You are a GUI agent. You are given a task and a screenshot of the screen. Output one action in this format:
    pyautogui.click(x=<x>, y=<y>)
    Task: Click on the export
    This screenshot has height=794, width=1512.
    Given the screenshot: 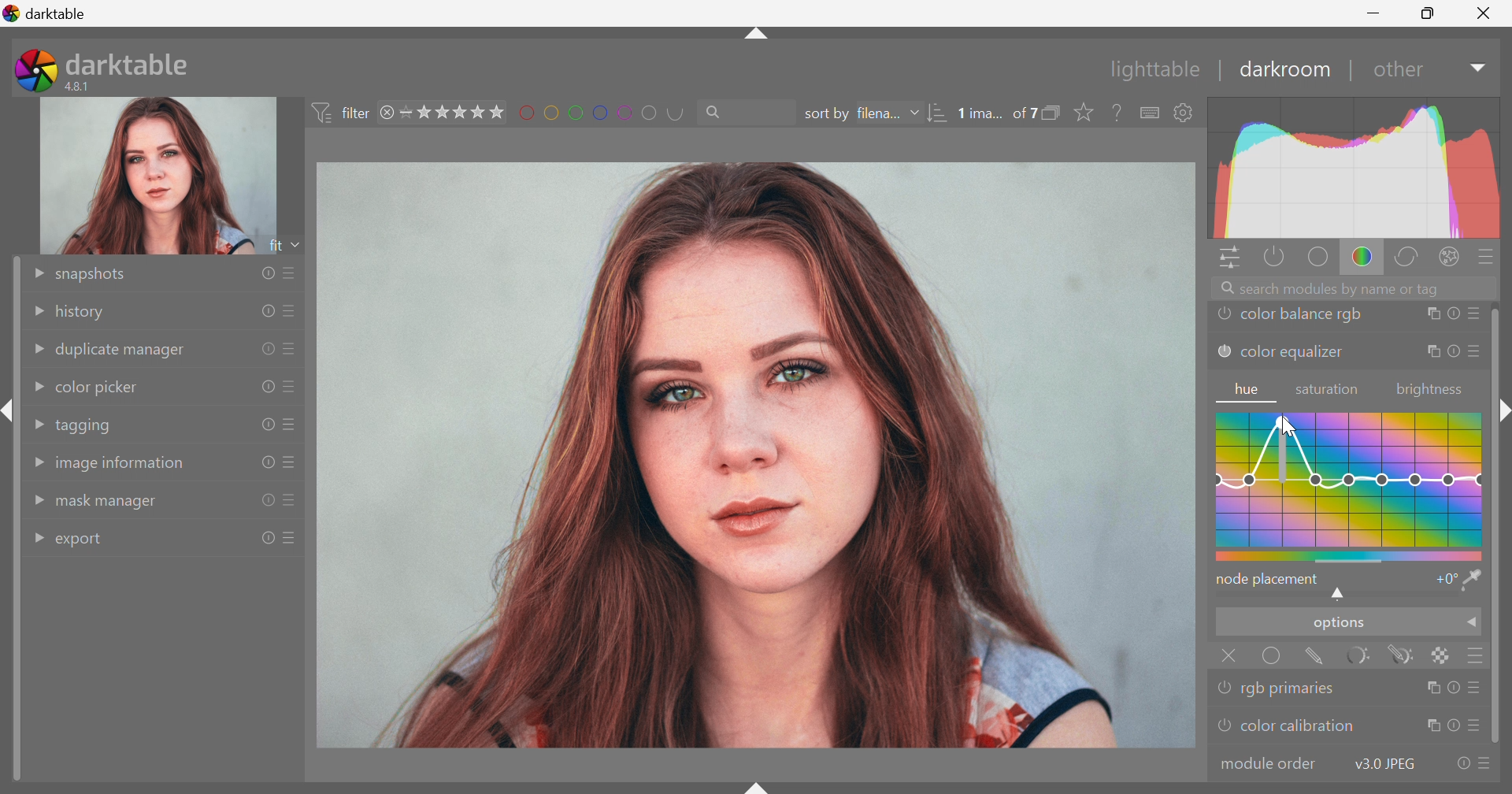 What is the action you would take?
    pyautogui.click(x=86, y=541)
    